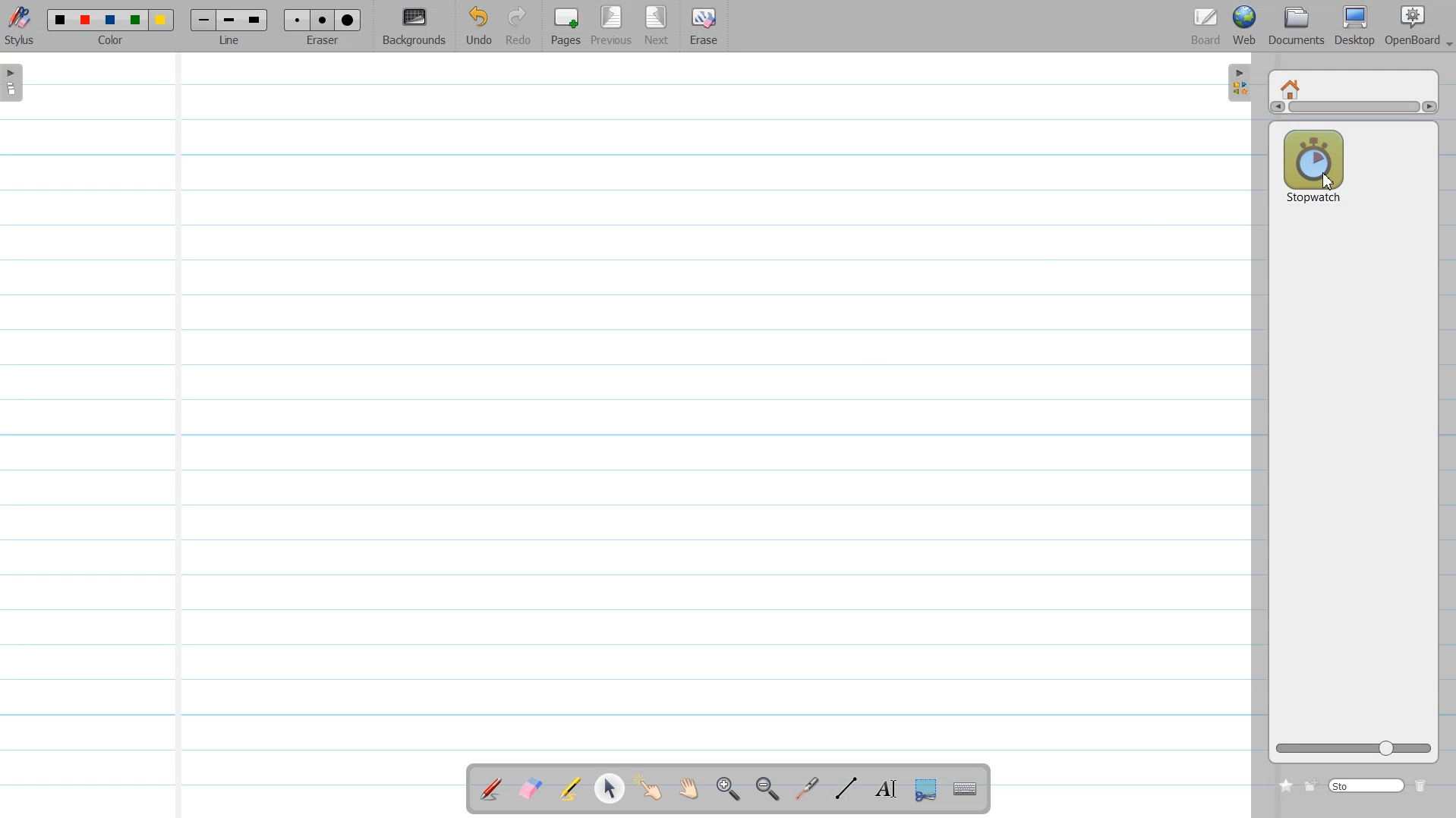 Image resolution: width=1456 pixels, height=818 pixels. I want to click on Interact with Item, so click(654, 788).